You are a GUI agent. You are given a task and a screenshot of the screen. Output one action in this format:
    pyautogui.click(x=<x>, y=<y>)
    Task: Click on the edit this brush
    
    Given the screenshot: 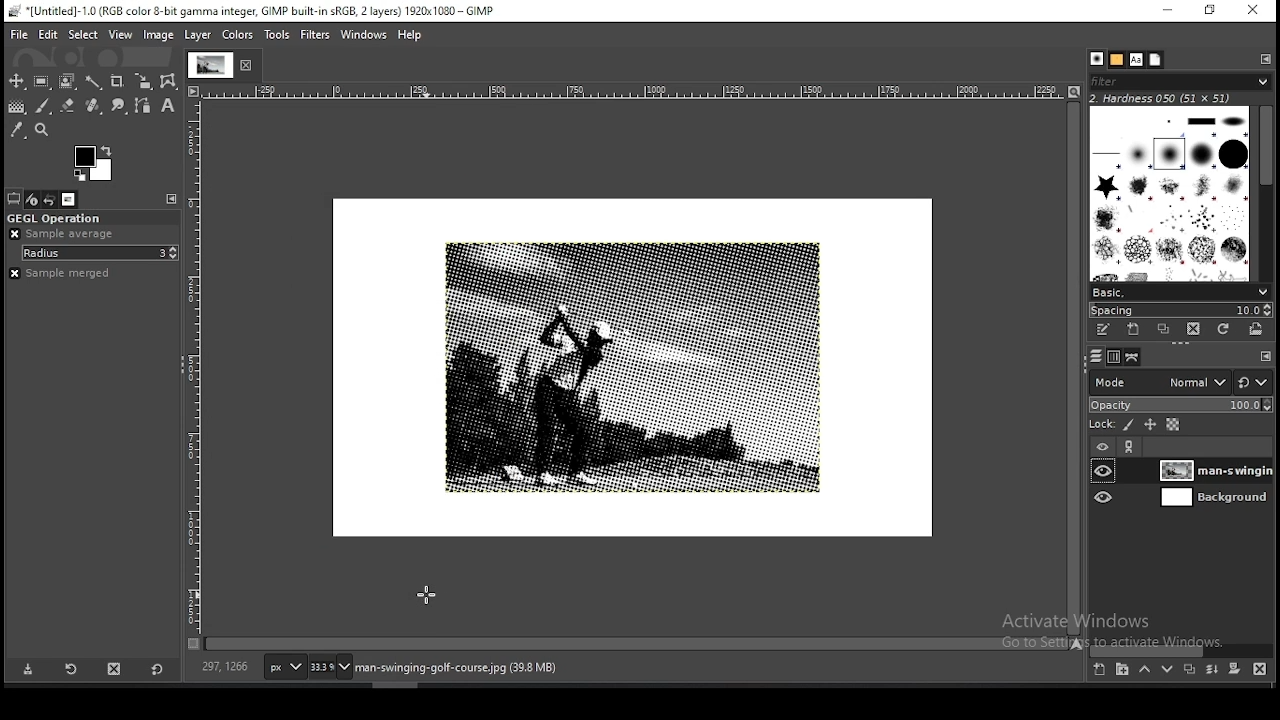 What is the action you would take?
    pyautogui.click(x=1104, y=331)
    